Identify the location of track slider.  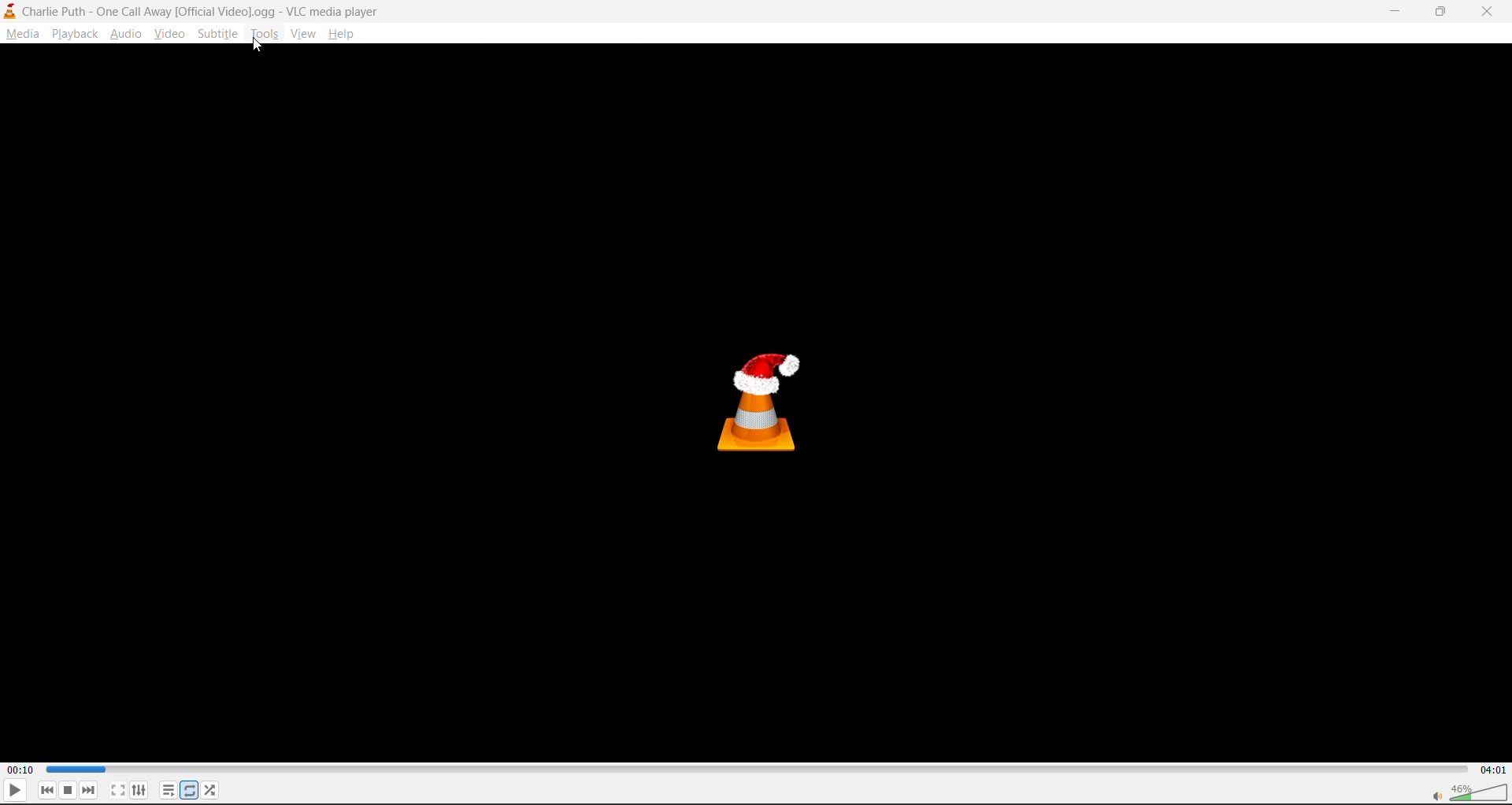
(758, 769).